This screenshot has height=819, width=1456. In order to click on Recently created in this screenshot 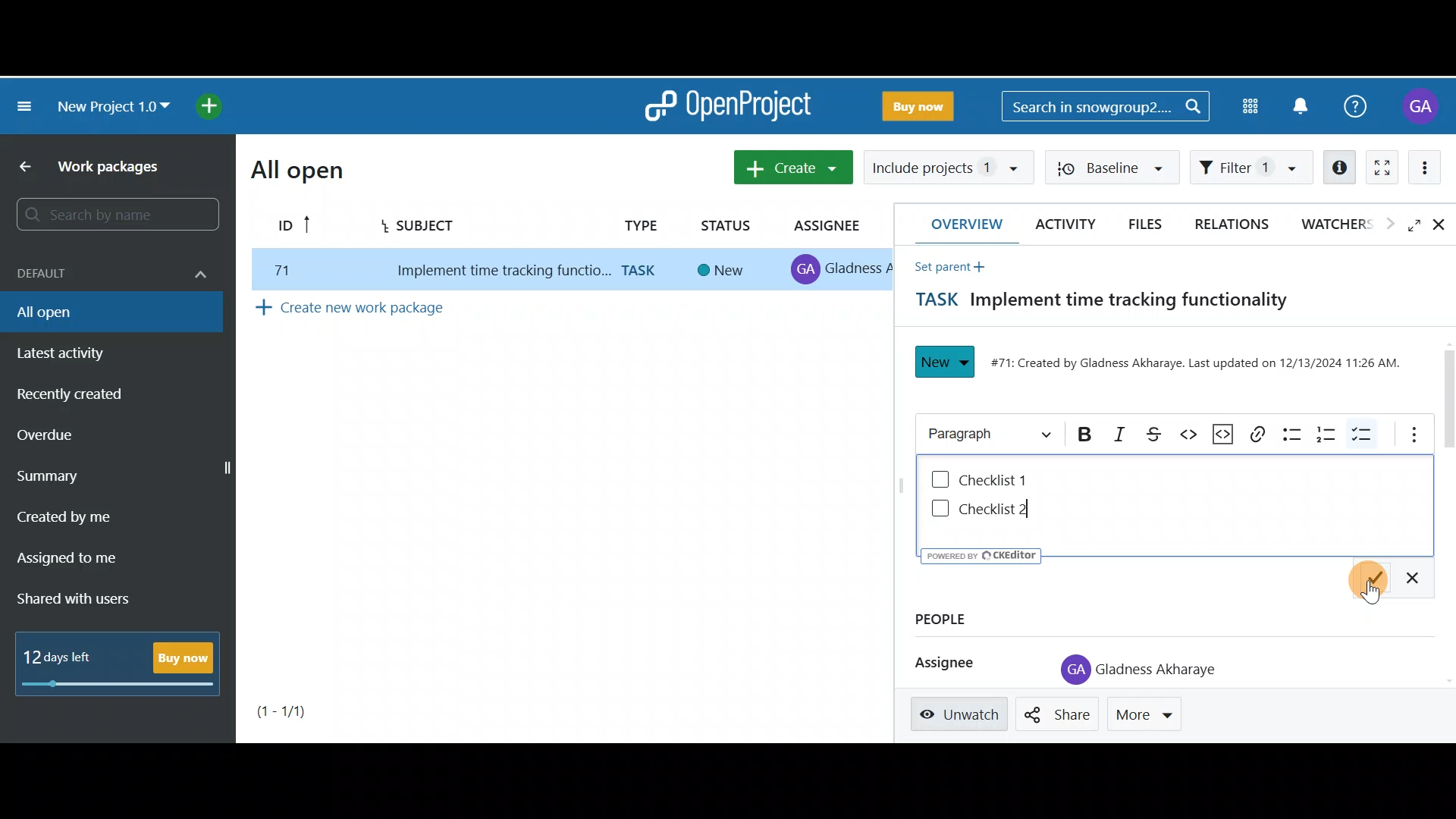, I will do `click(73, 395)`.